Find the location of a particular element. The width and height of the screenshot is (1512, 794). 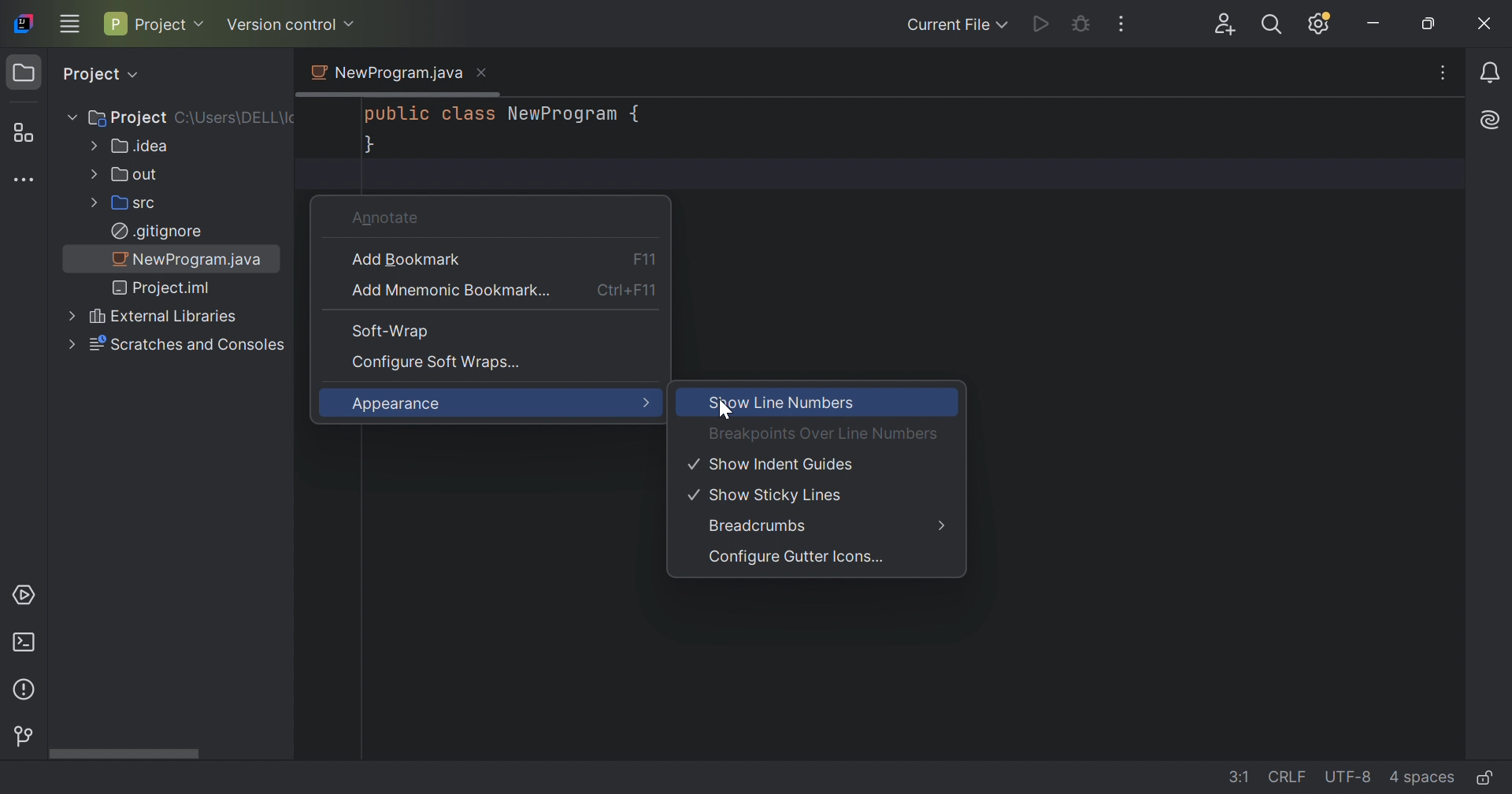

Close is located at coordinates (1482, 29).